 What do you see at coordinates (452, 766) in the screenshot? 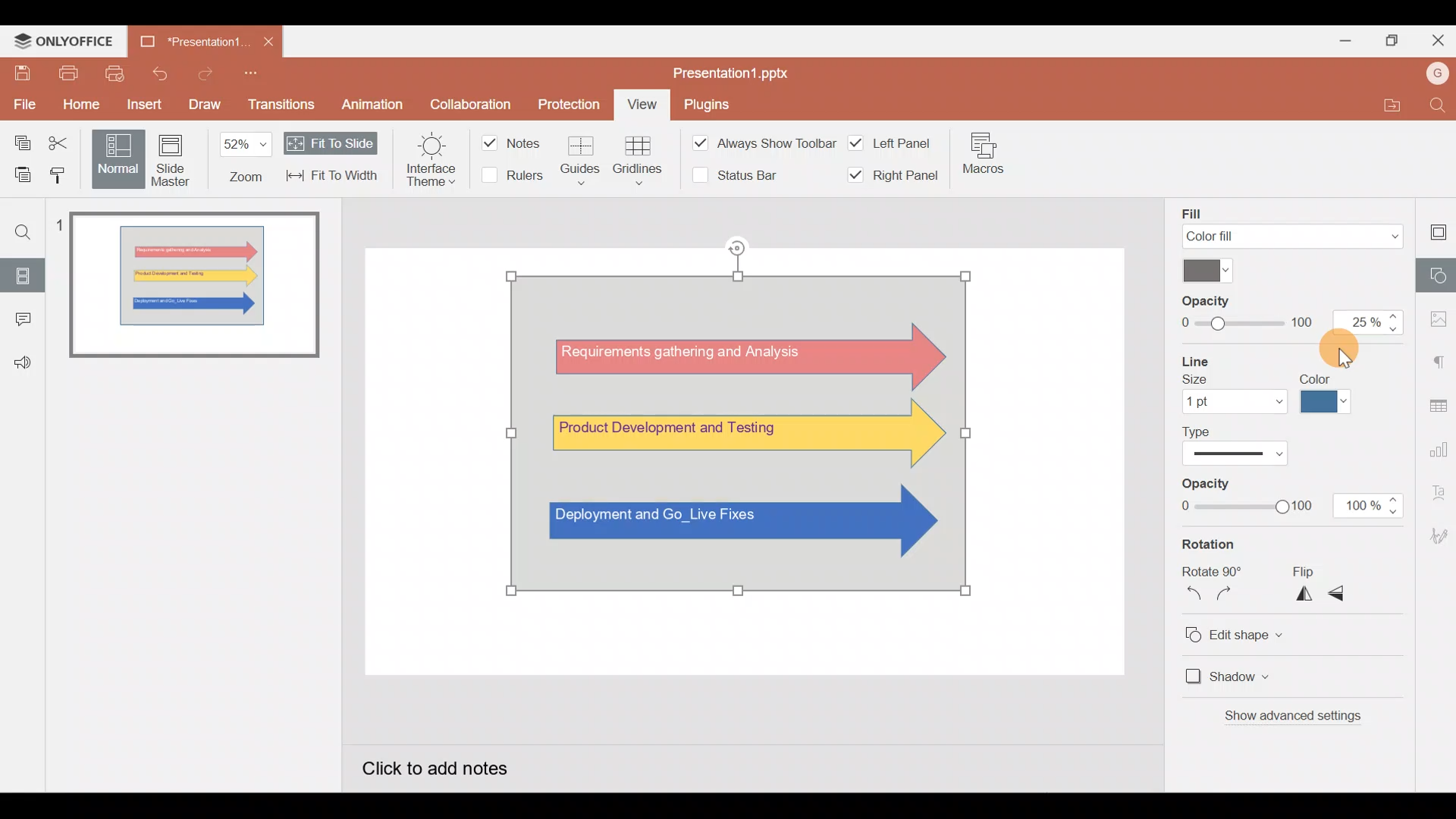
I see `Click to add notes` at bounding box center [452, 766].